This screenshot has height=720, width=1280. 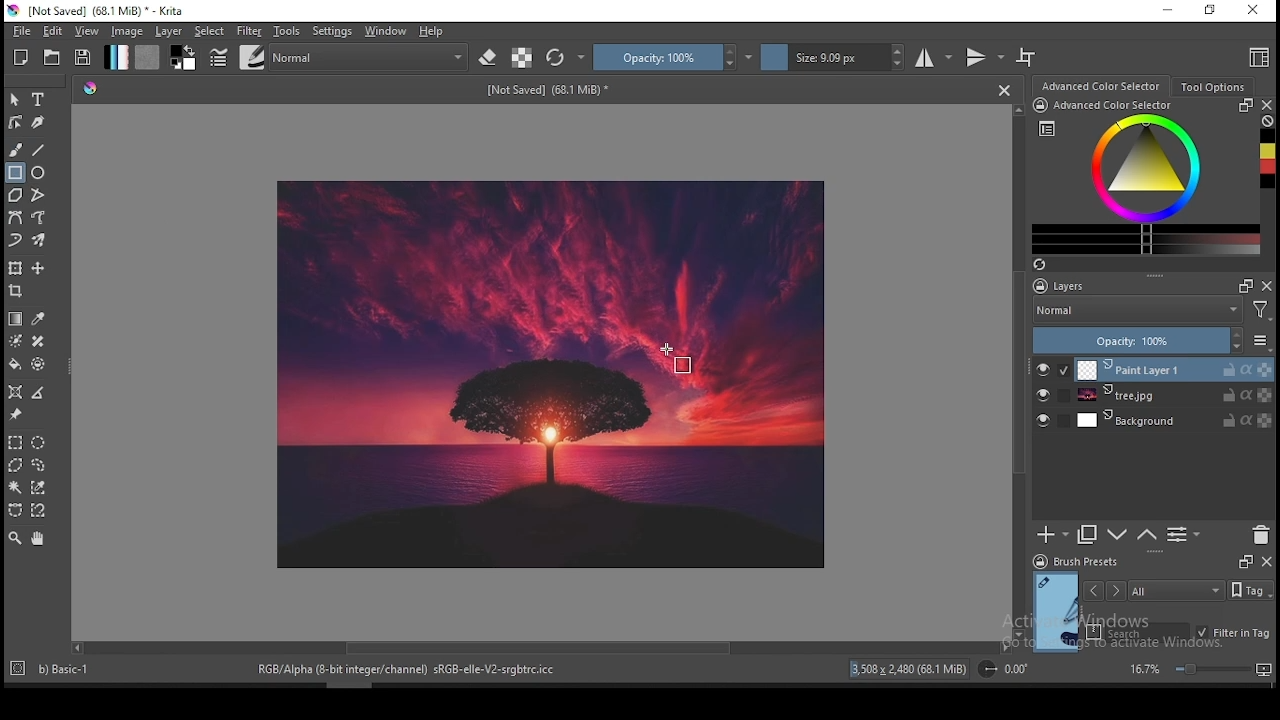 What do you see at coordinates (935, 57) in the screenshot?
I see `horizontal mirror tool` at bounding box center [935, 57].